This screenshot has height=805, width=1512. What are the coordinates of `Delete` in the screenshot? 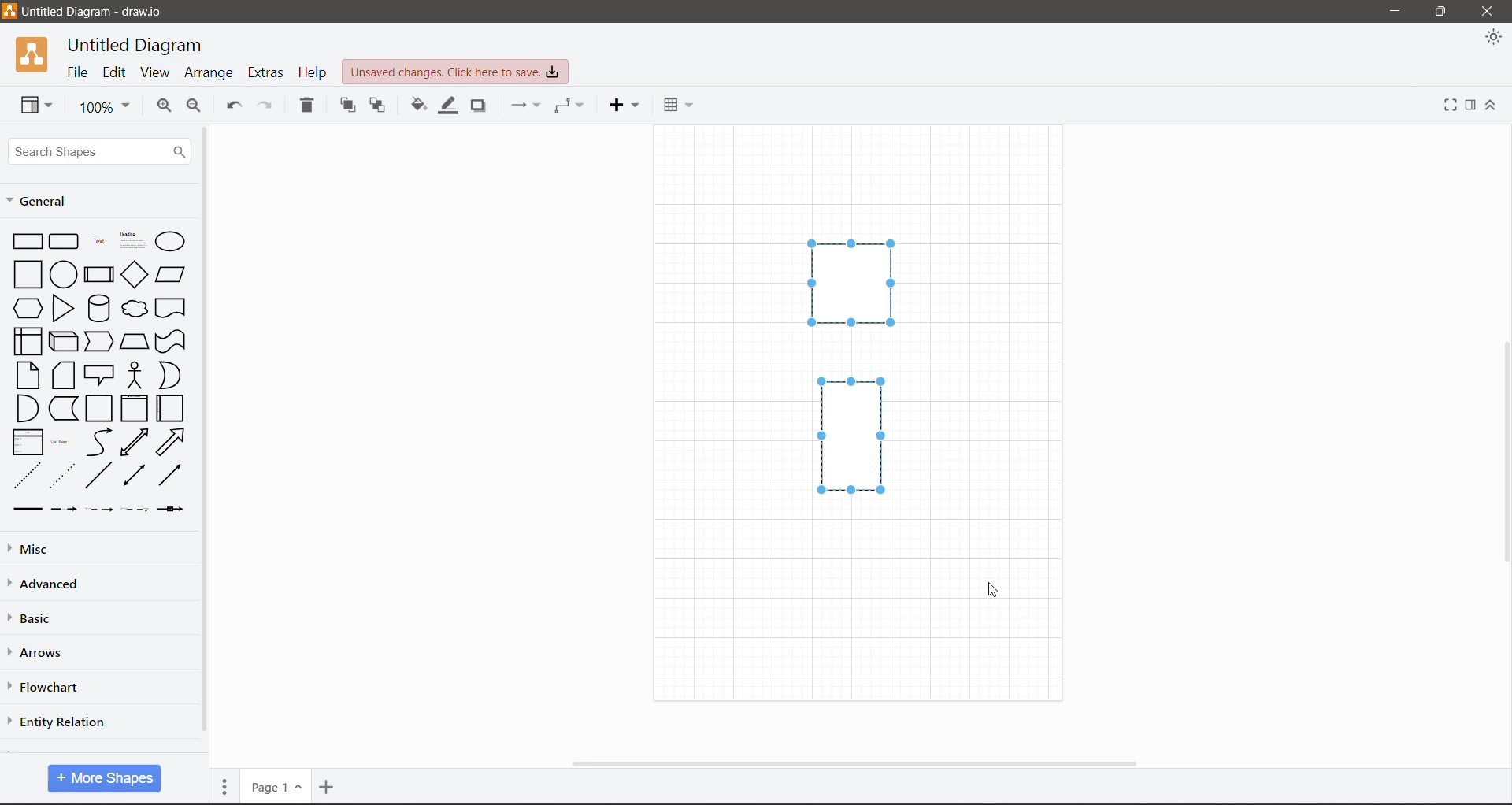 It's located at (306, 107).